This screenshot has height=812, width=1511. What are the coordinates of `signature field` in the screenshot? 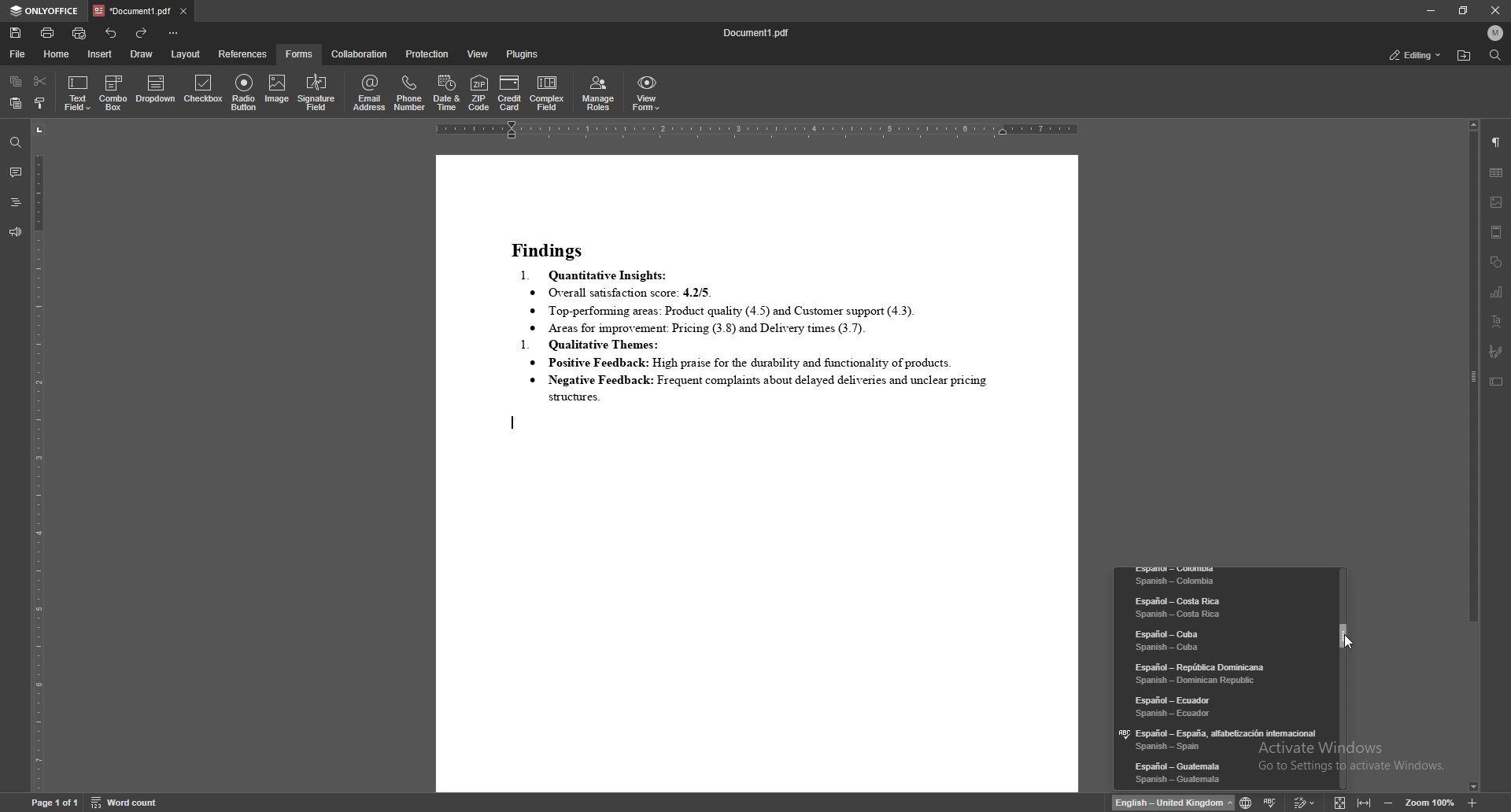 It's located at (1495, 350).